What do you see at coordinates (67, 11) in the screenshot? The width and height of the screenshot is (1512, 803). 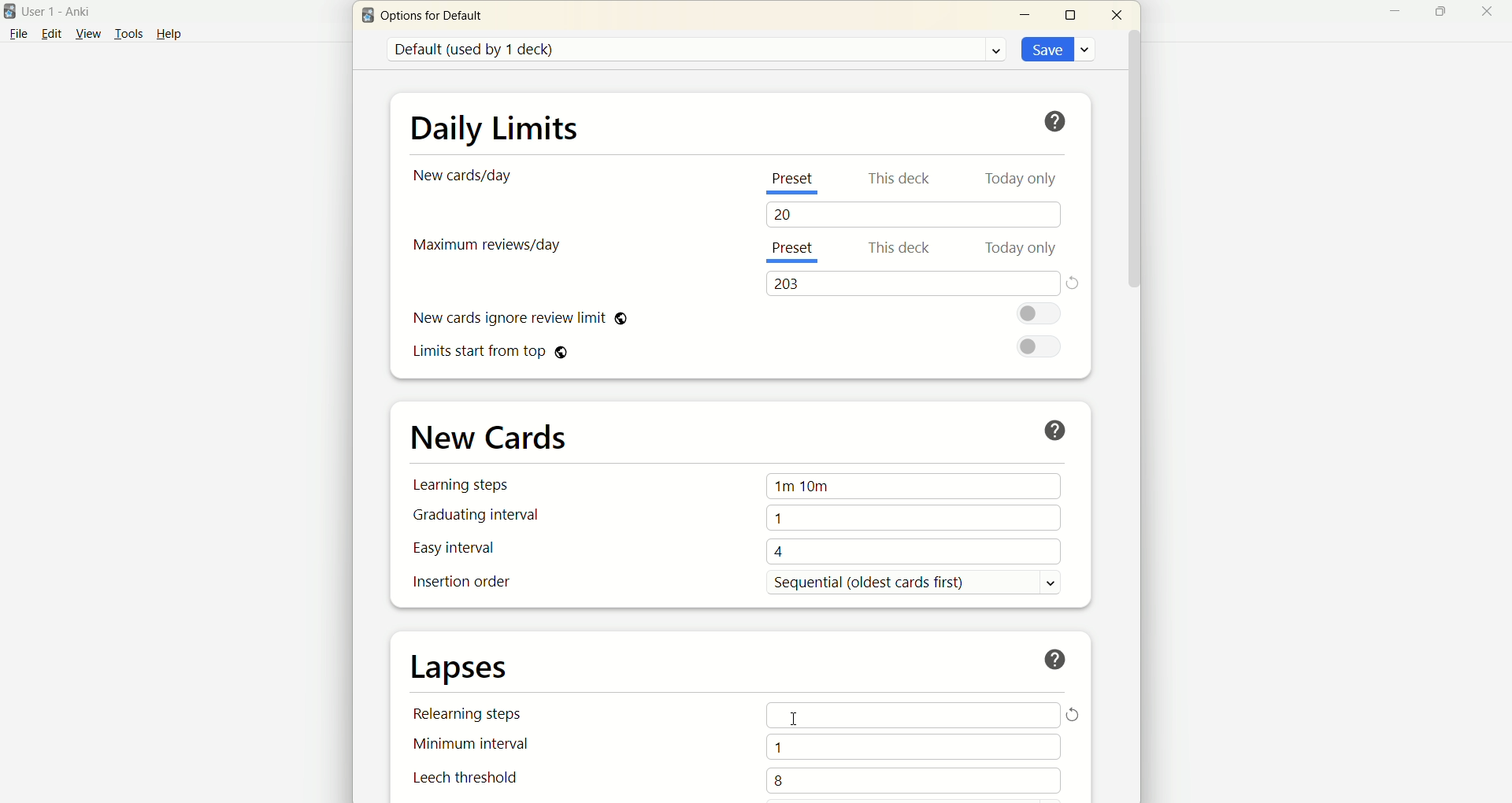 I see `User1-Anki` at bounding box center [67, 11].